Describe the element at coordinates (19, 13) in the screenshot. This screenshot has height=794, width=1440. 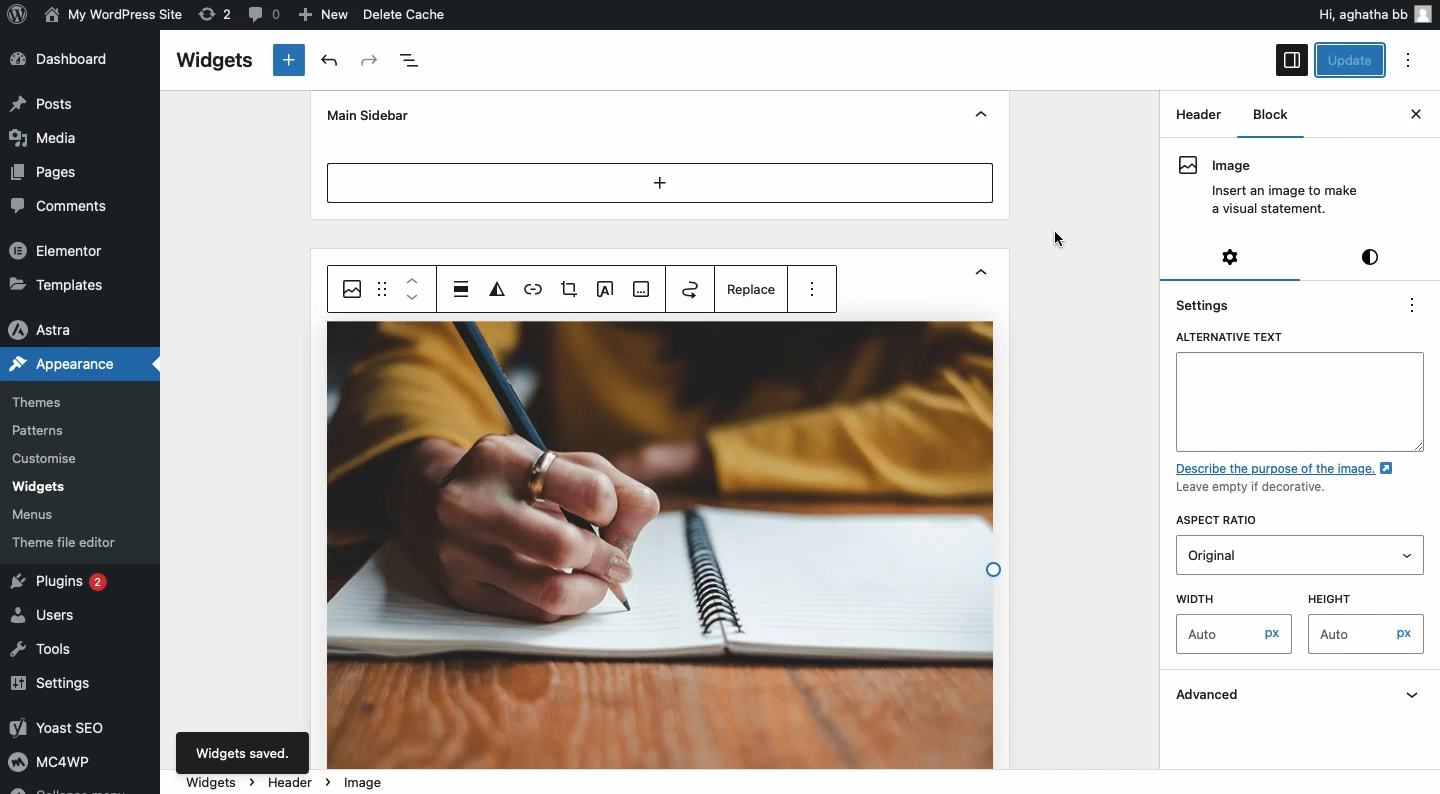
I see `Logo` at that location.